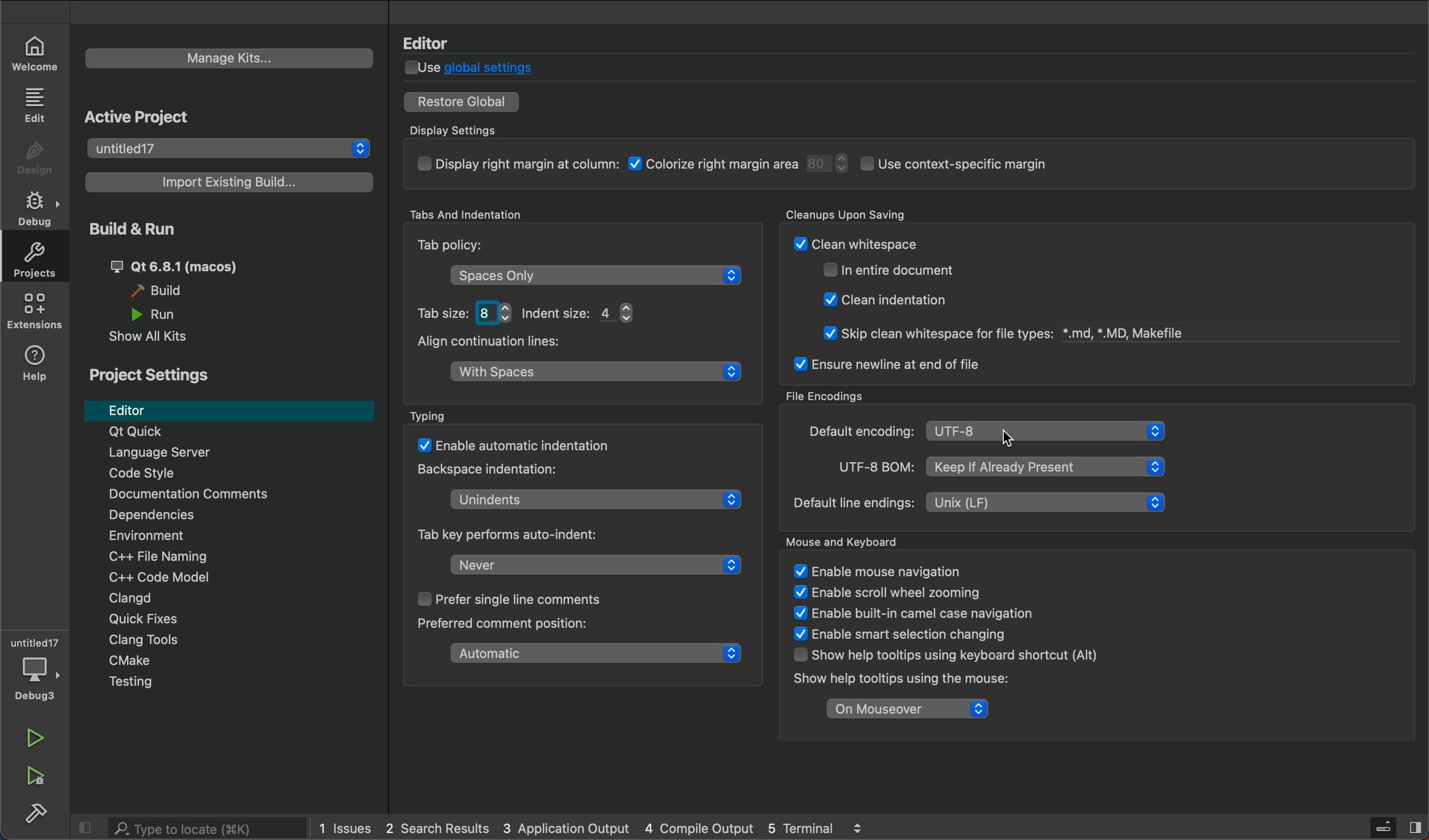 Image resolution: width=1429 pixels, height=840 pixels. I want to click on Unindent, so click(603, 499).